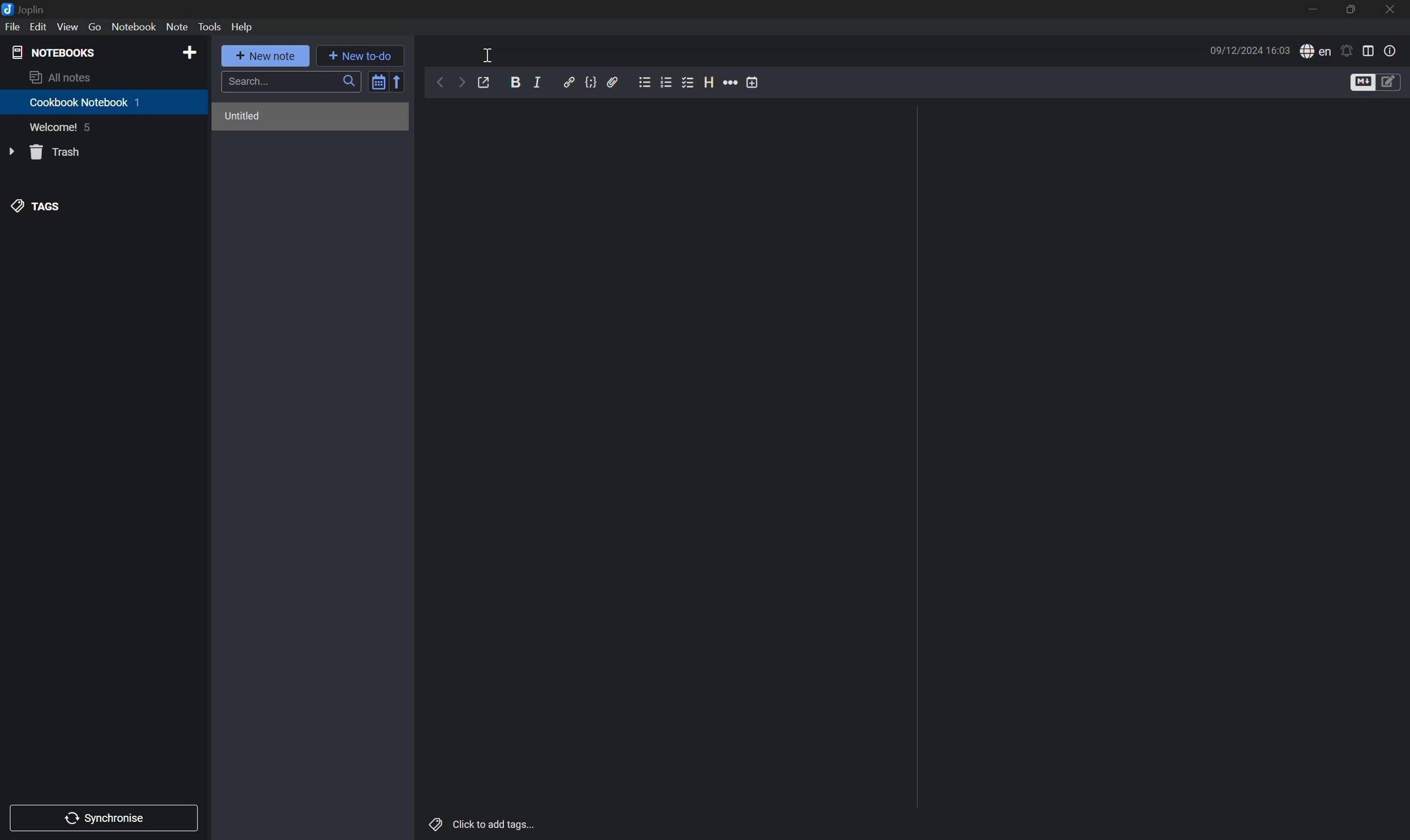 The height and width of the screenshot is (840, 1410). What do you see at coordinates (397, 82) in the screenshot?
I see `Reverse sort order` at bounding box center [397, 82].